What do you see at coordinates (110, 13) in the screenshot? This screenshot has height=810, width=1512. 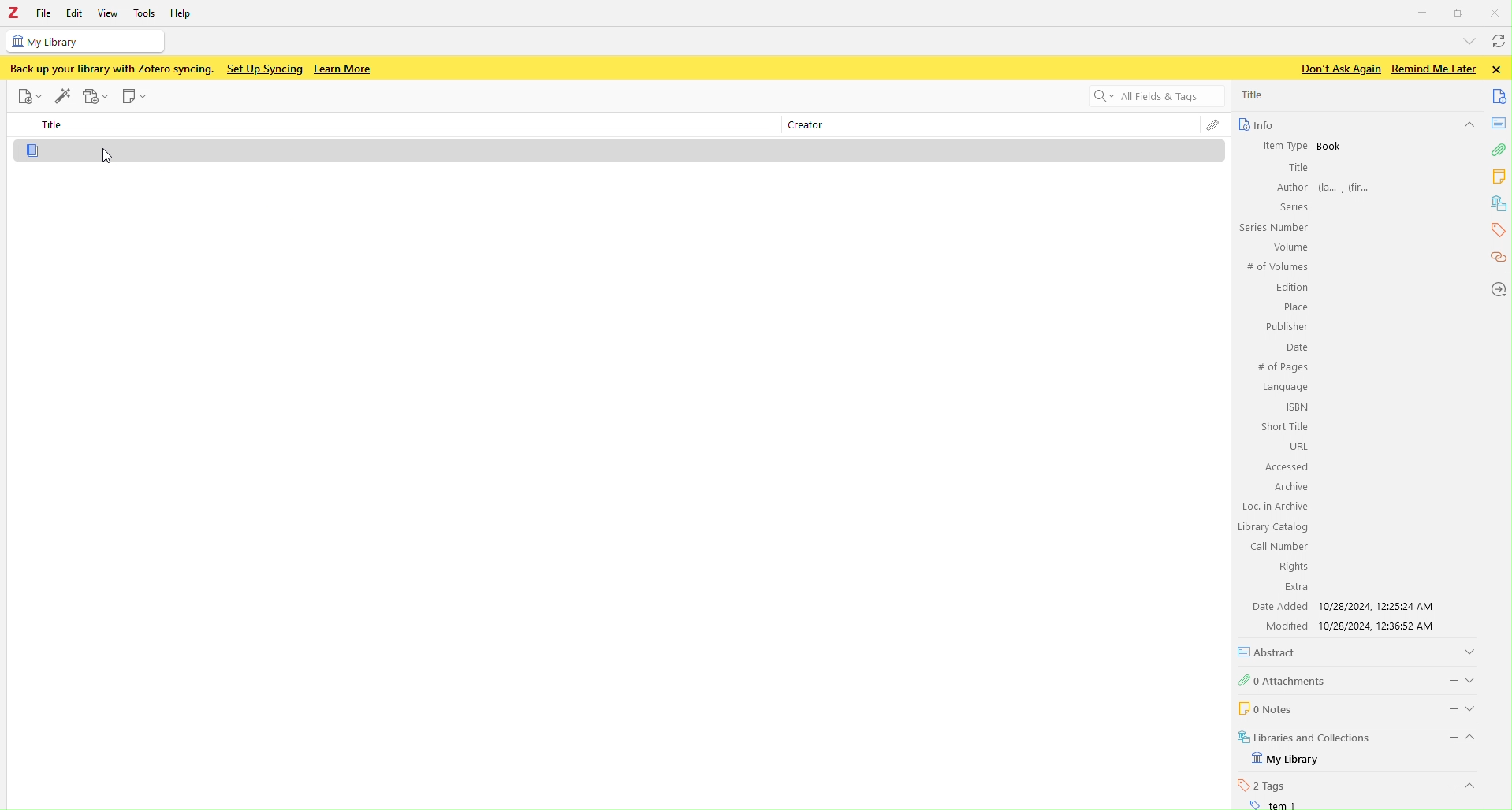 I see `View` at bounding box center [110, 13].